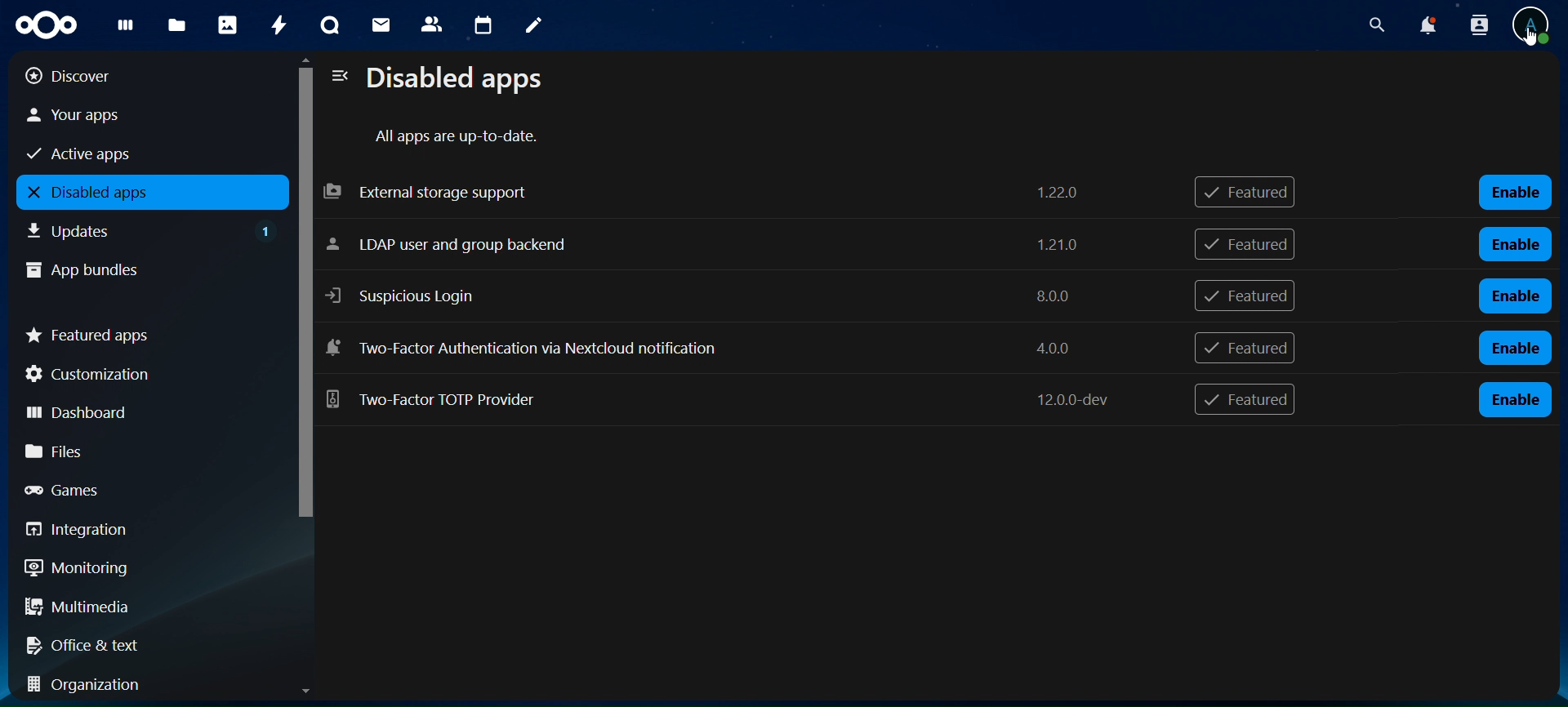 Image resolution: width=1568 pixels, height=707 pixels. Describe the element at coordinates (1514, 349) in the screenshot. I see `enable` at that location.